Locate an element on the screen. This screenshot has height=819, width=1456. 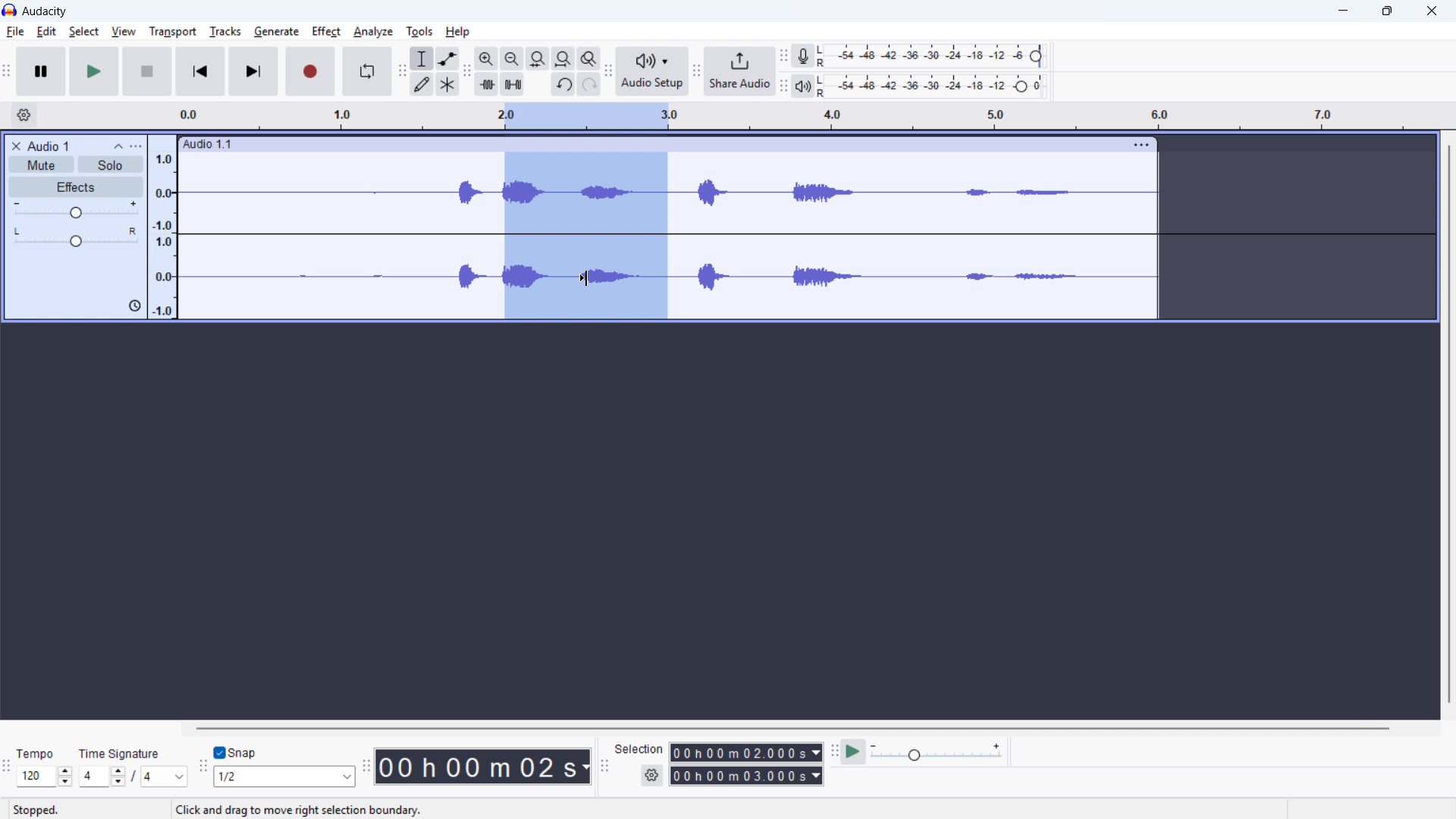
Cursor is located at coordinates (584, 279).